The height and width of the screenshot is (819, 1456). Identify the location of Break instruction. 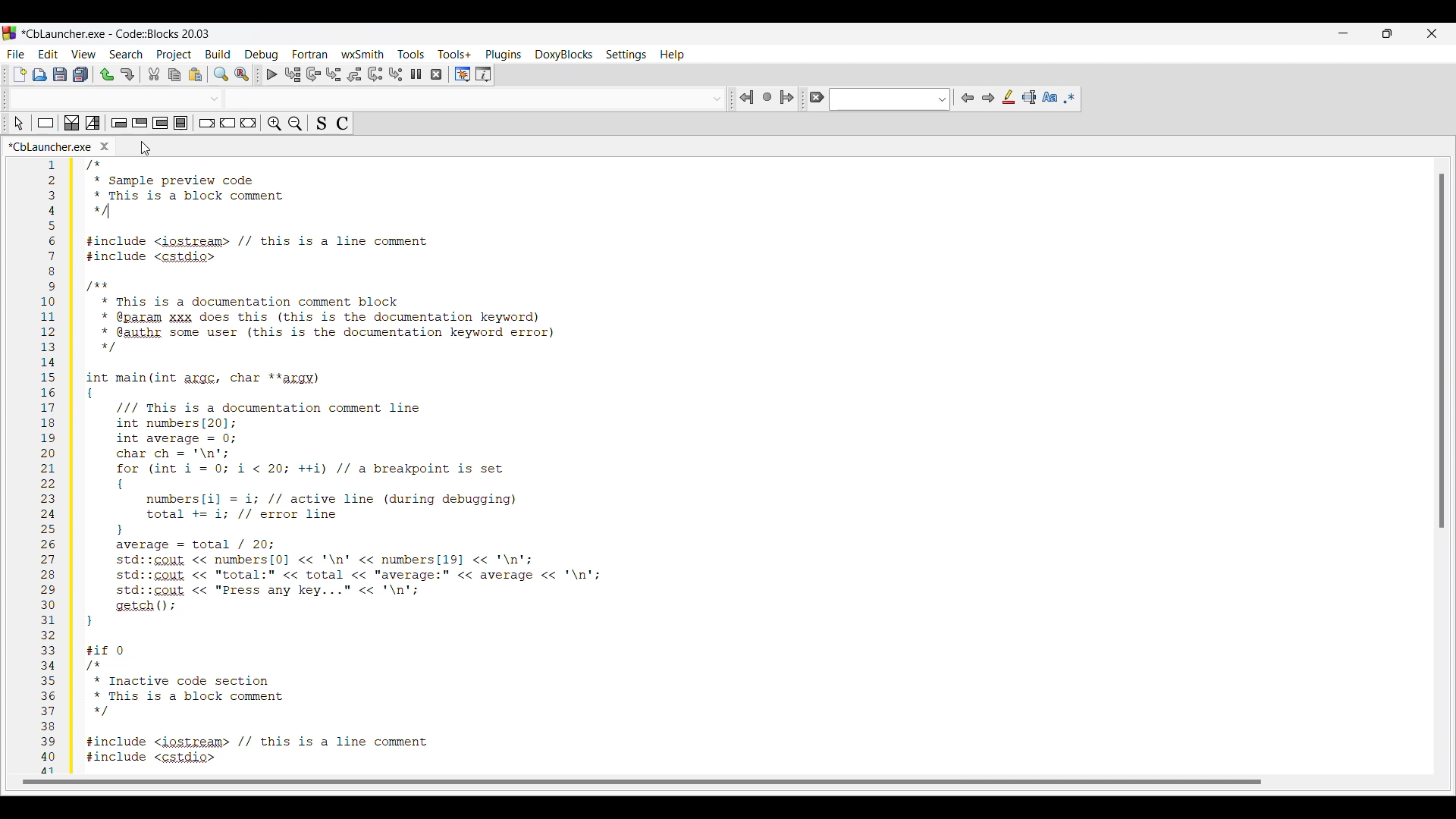
(208, 123).